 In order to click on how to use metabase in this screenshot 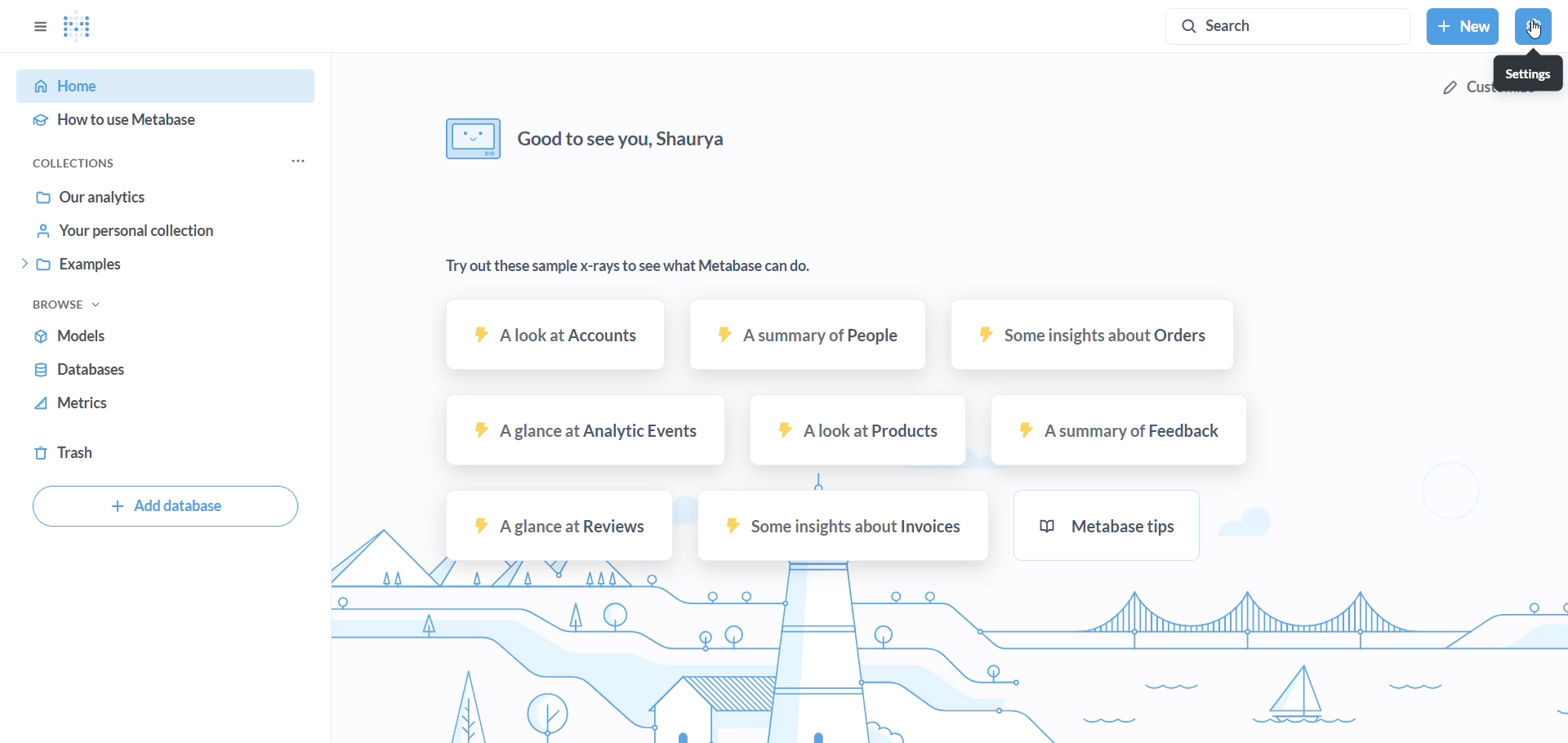, I will do `click(151, 122)`.